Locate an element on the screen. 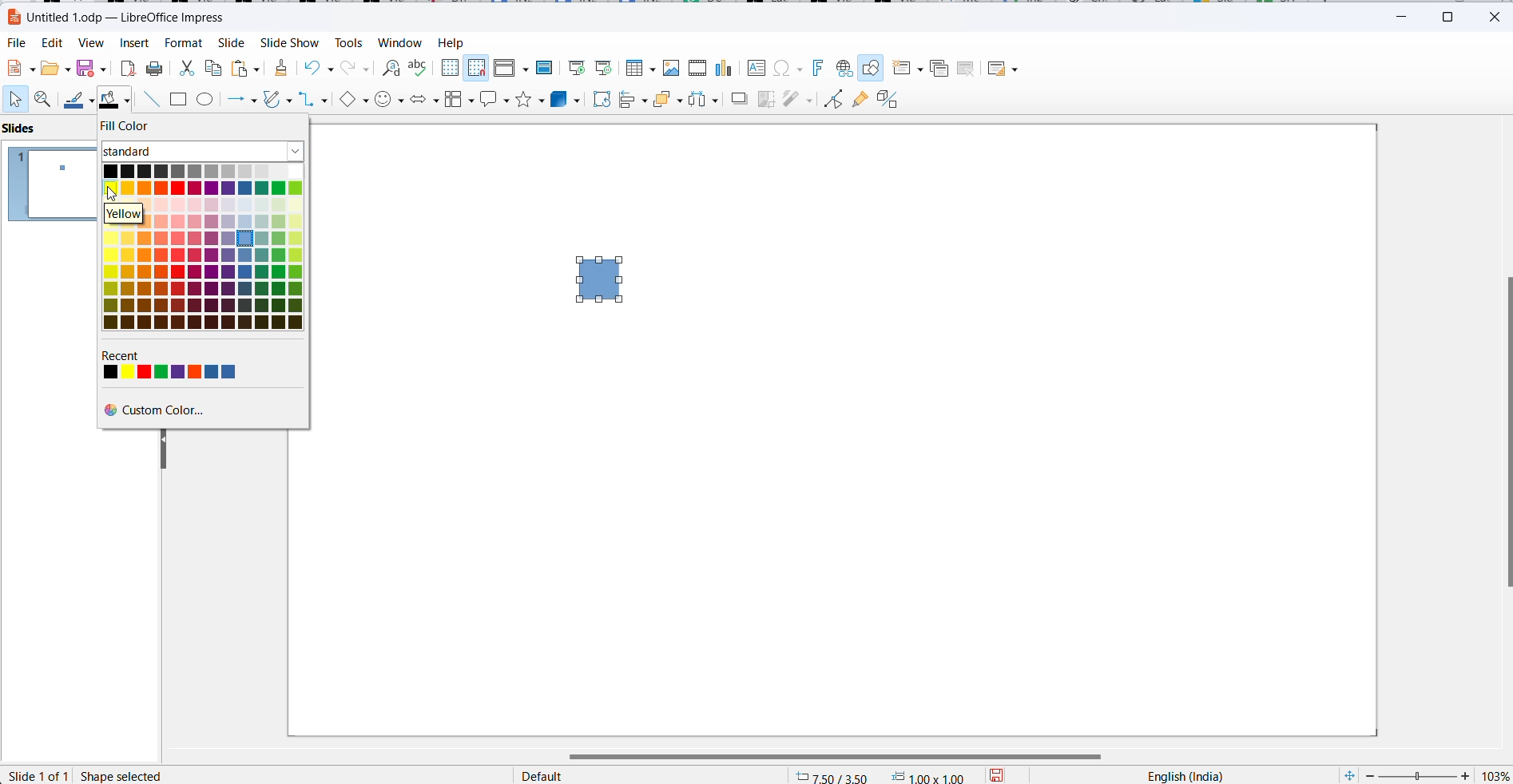  new slide is located at coordinates (908, 69).